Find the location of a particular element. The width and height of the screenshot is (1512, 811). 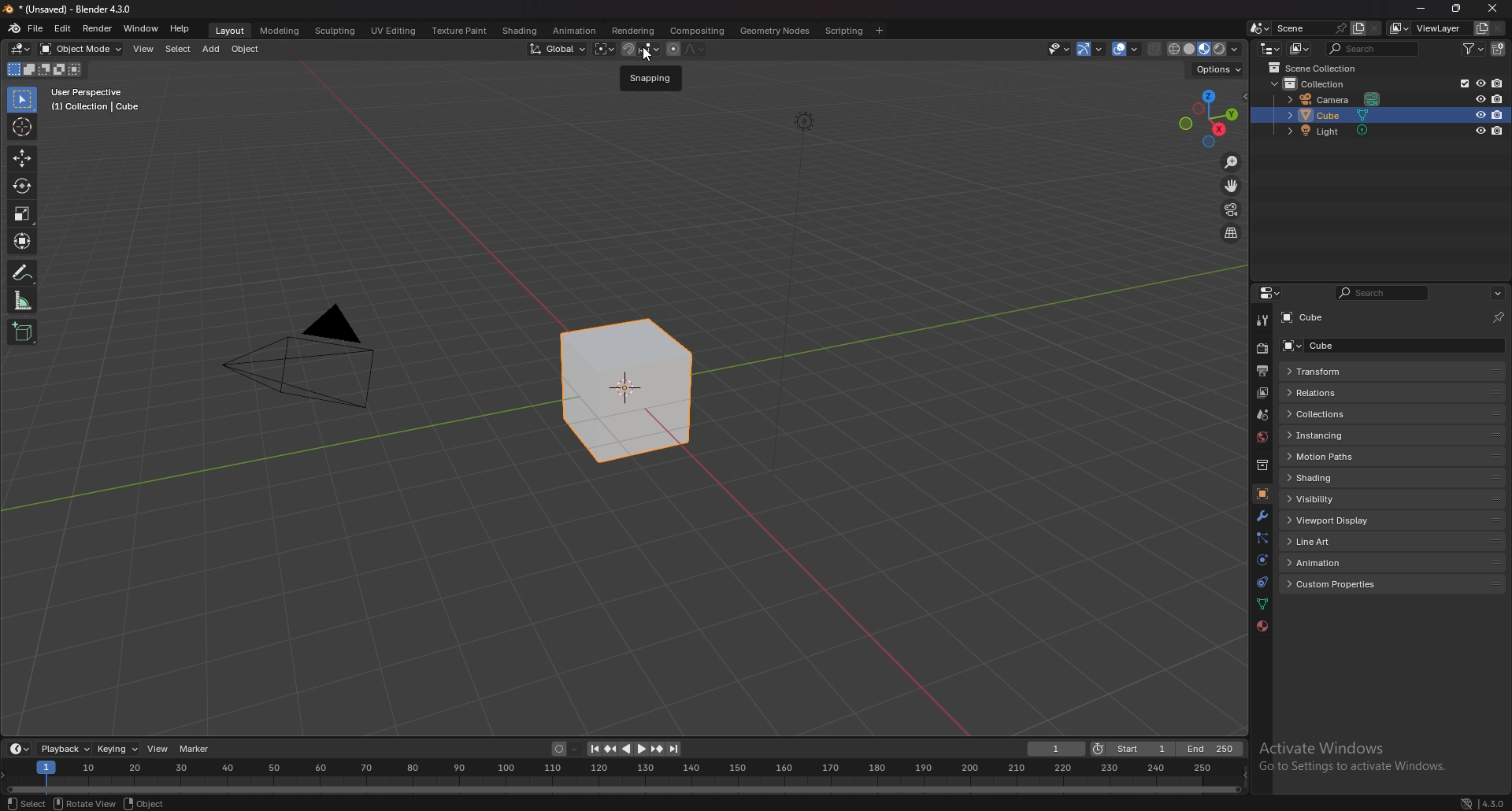

scene collection is located at coordinates (1320, 68).